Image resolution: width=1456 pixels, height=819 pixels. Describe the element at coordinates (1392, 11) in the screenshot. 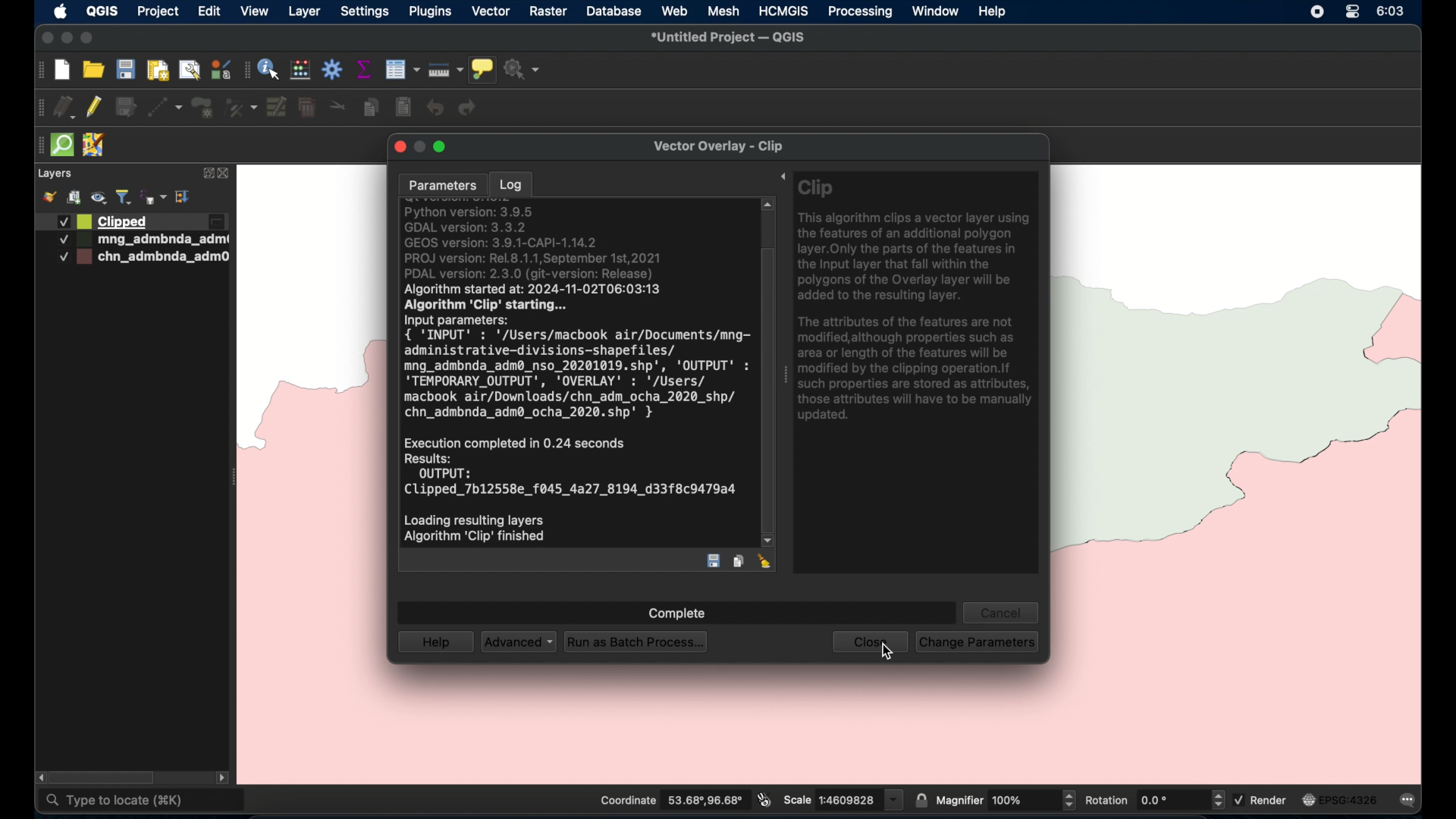

I see `time` at that location.